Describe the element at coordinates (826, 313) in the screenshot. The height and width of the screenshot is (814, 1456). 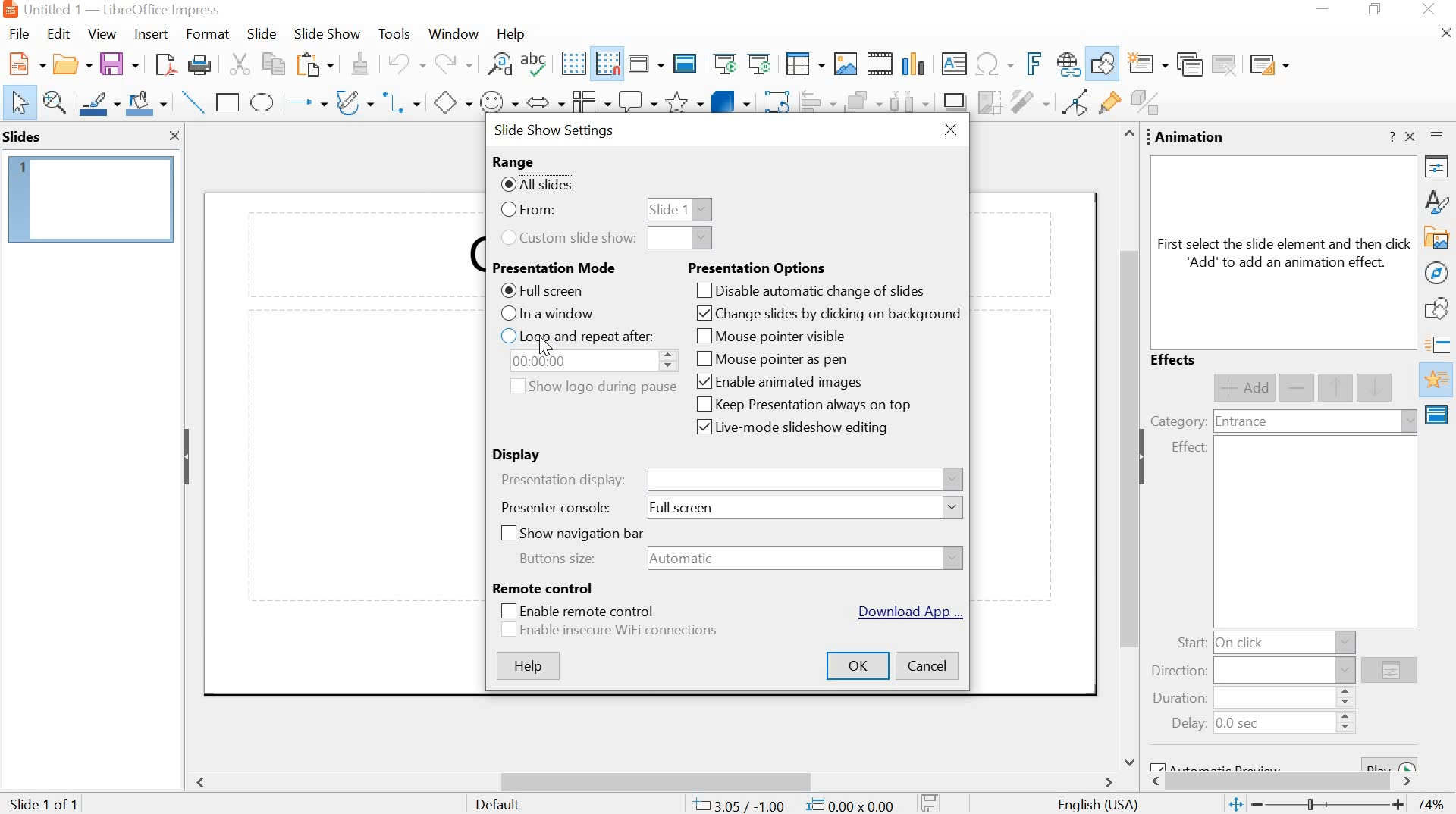
I see `change slides by clicking background` at that location.